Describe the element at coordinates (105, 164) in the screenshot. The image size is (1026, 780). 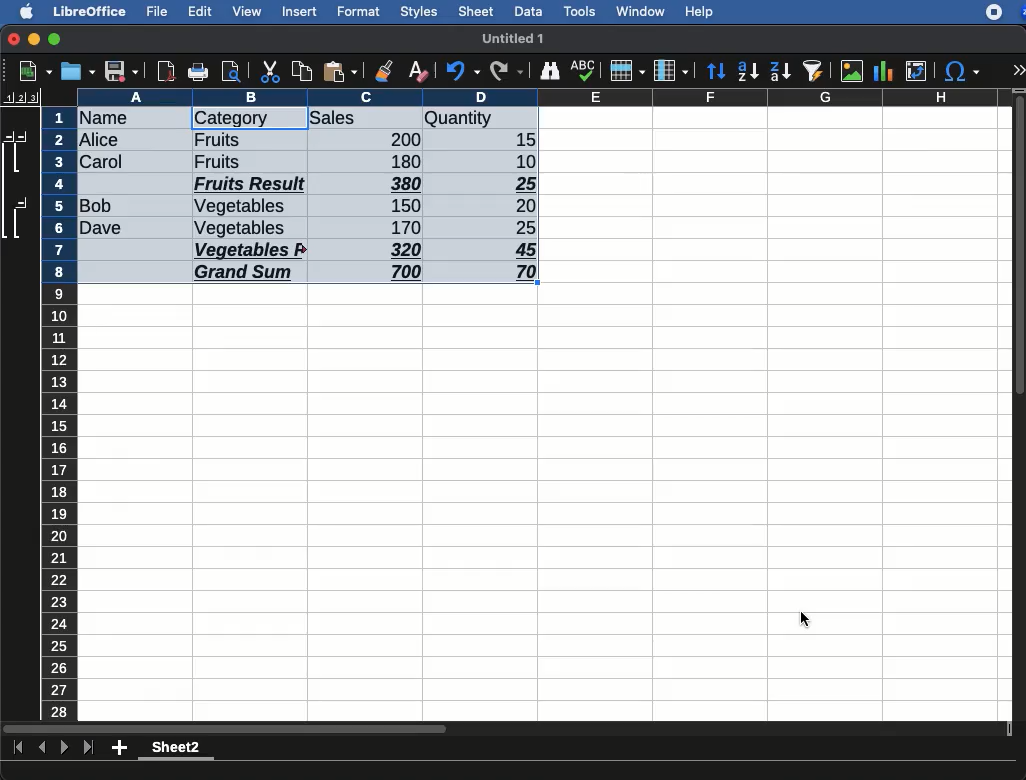
I see `Carol` at that location.